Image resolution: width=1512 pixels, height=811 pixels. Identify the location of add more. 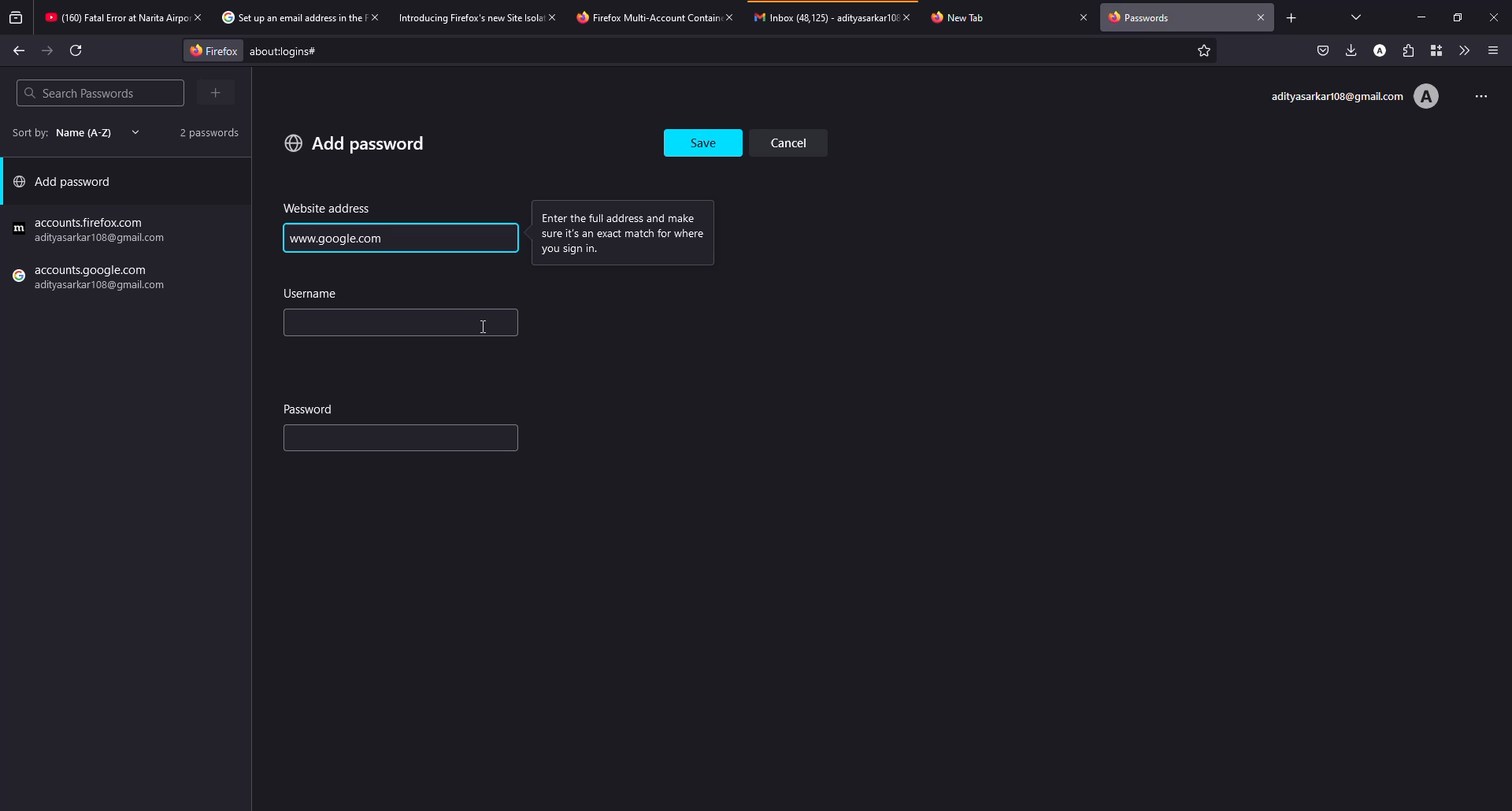
(218, 92).